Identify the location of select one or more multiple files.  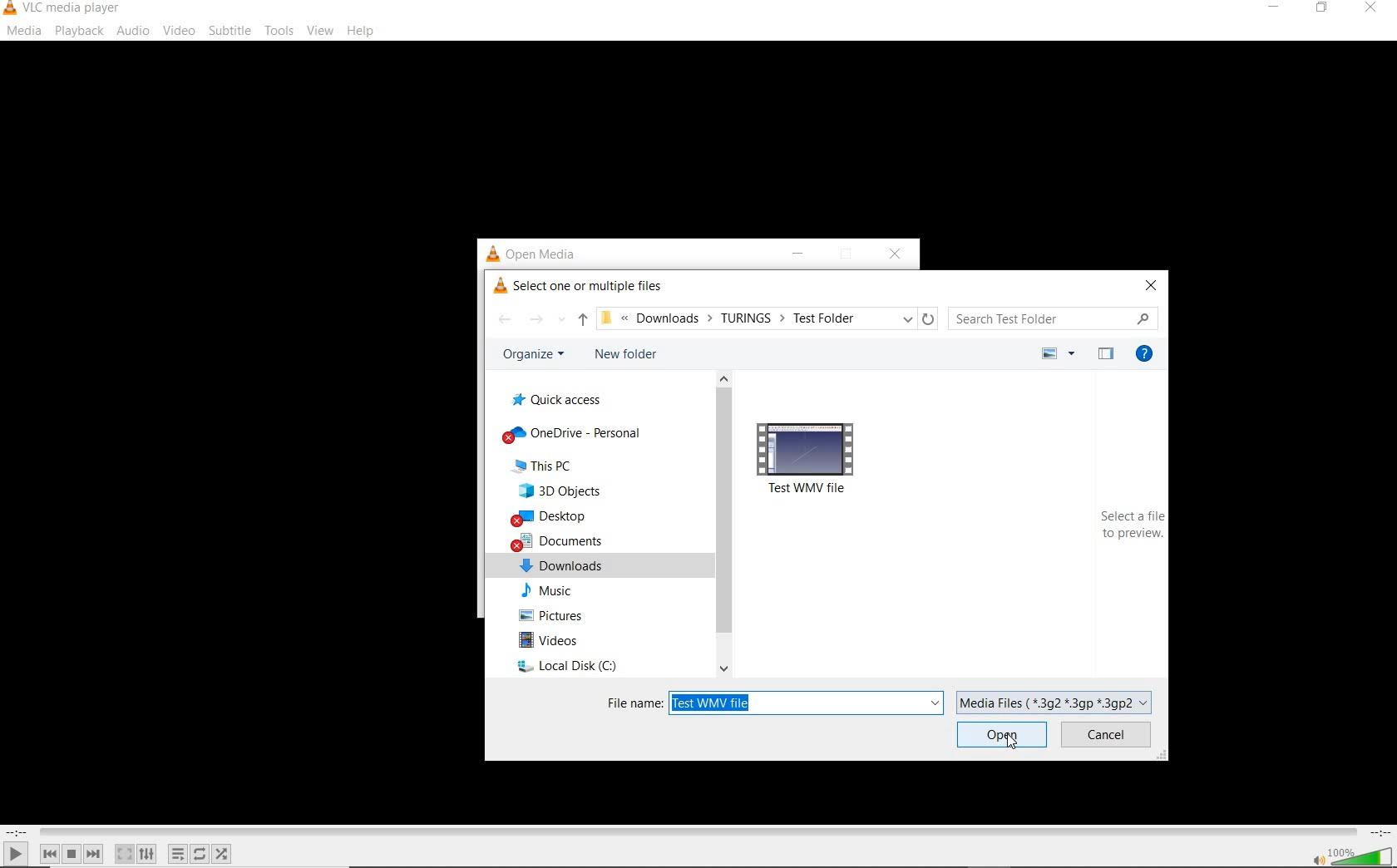
(585, 285).